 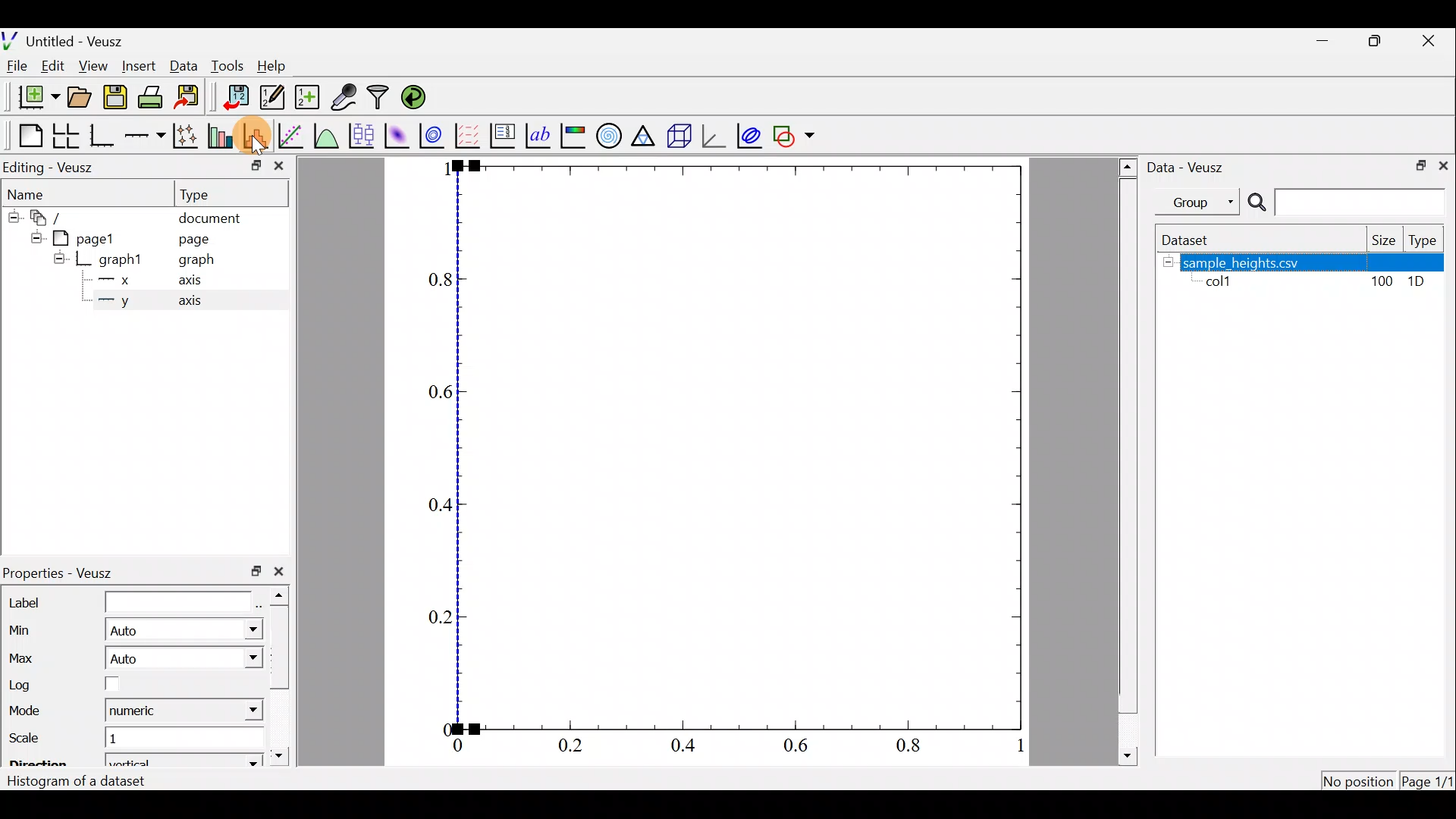 I want to click on x, so click(x=124, y=281).